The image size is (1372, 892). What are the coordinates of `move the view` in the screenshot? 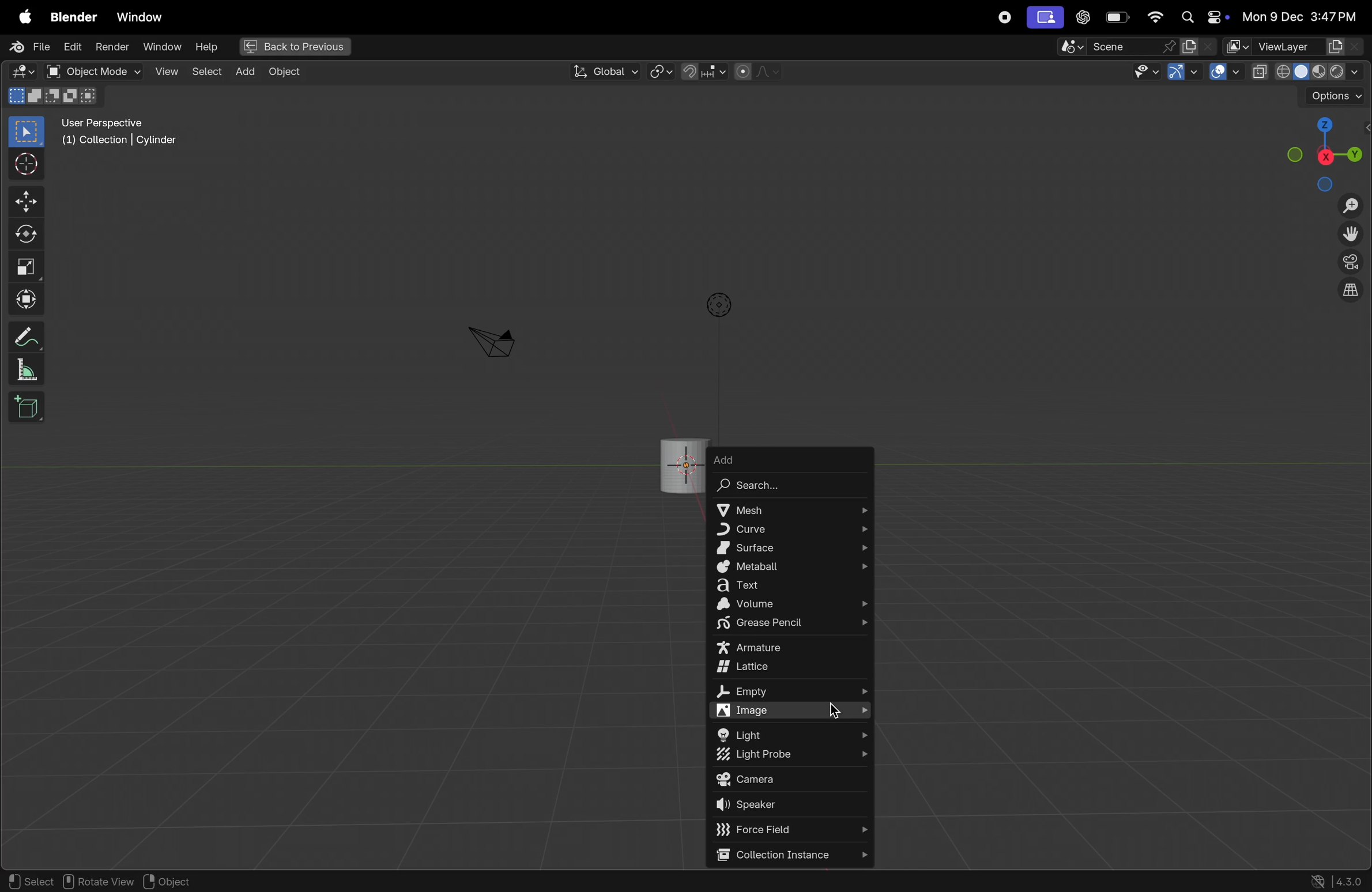 It's located at (1353, 235).